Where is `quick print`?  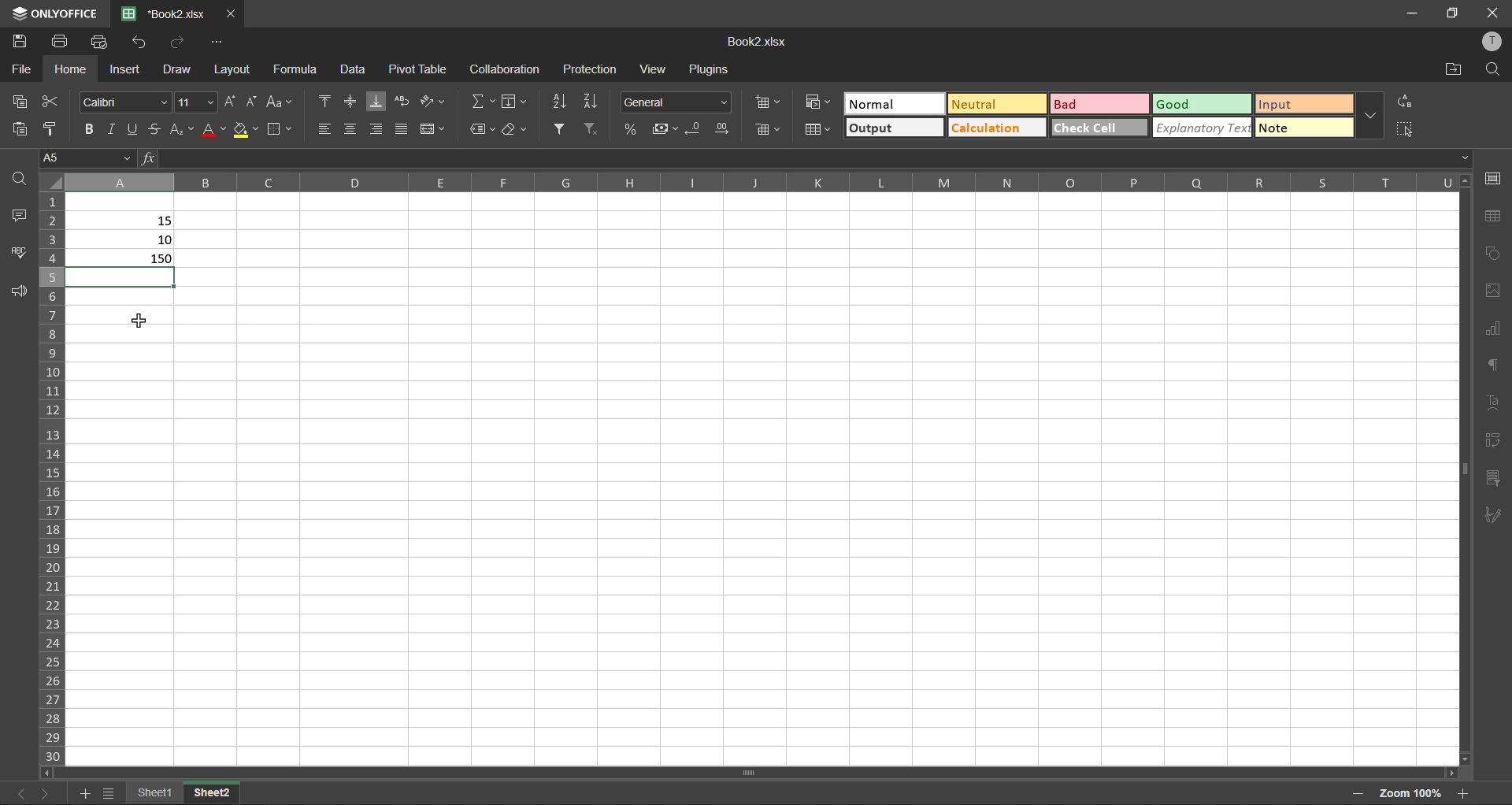
quick print is located at coordinates (102, 42).